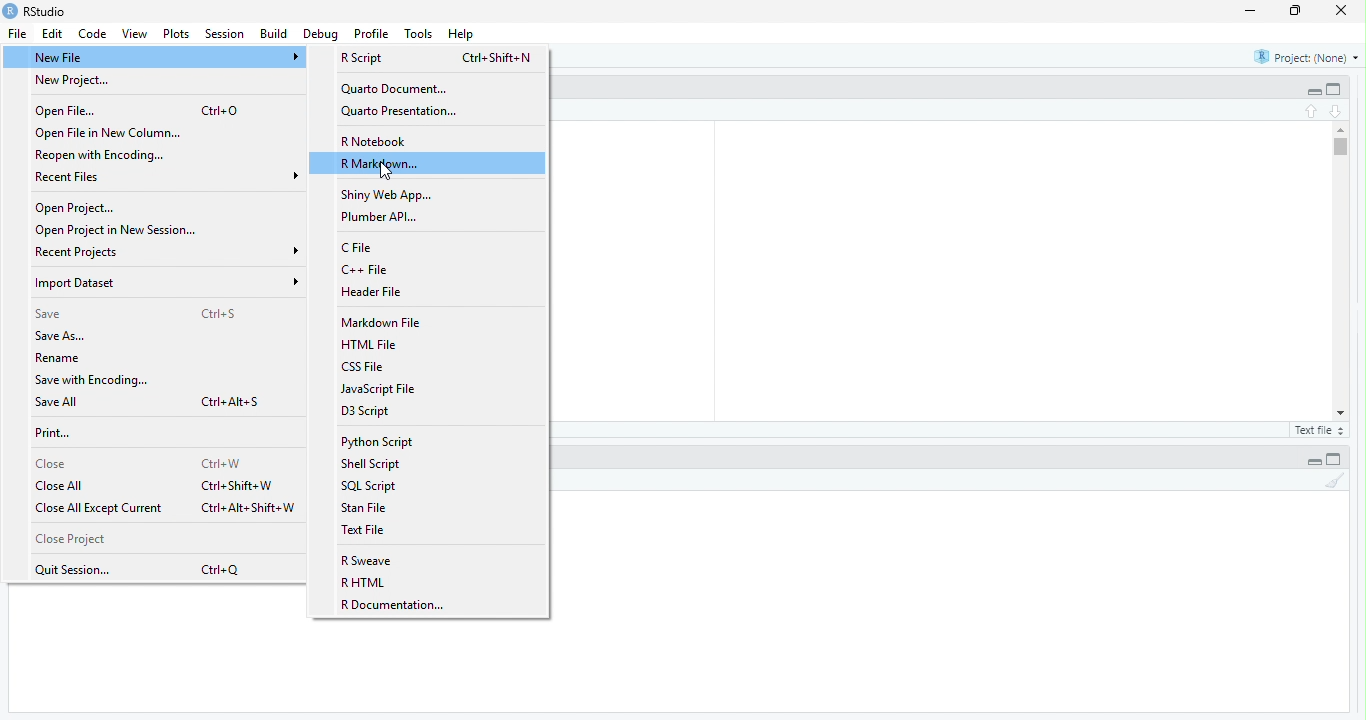 The width and height of the screenshot is (1366, 720). Describe the element at coordinates (497, 58) in the screenshot. I see `Ctrl+Shift+N` at that location.